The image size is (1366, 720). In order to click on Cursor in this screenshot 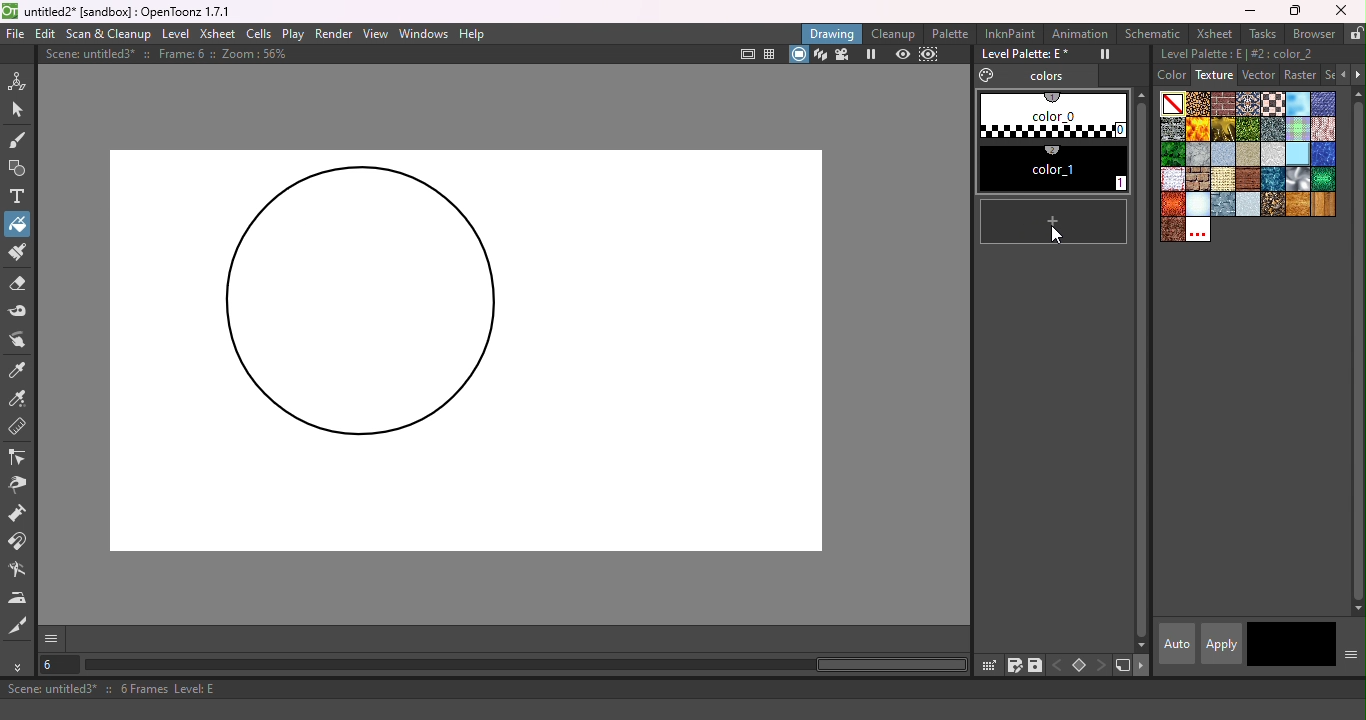, I will do `click(37, 225)`.